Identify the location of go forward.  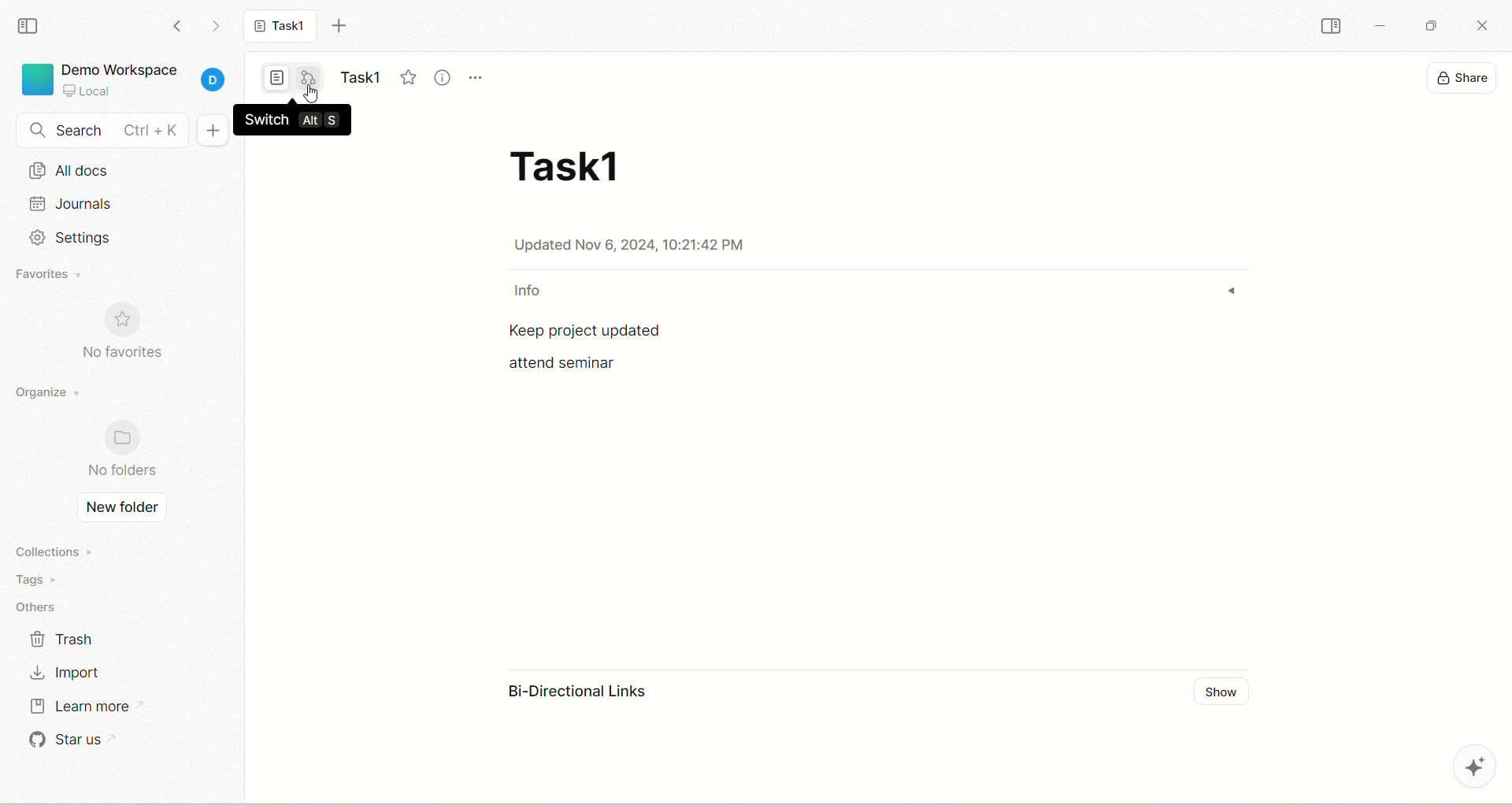
(214, 26).